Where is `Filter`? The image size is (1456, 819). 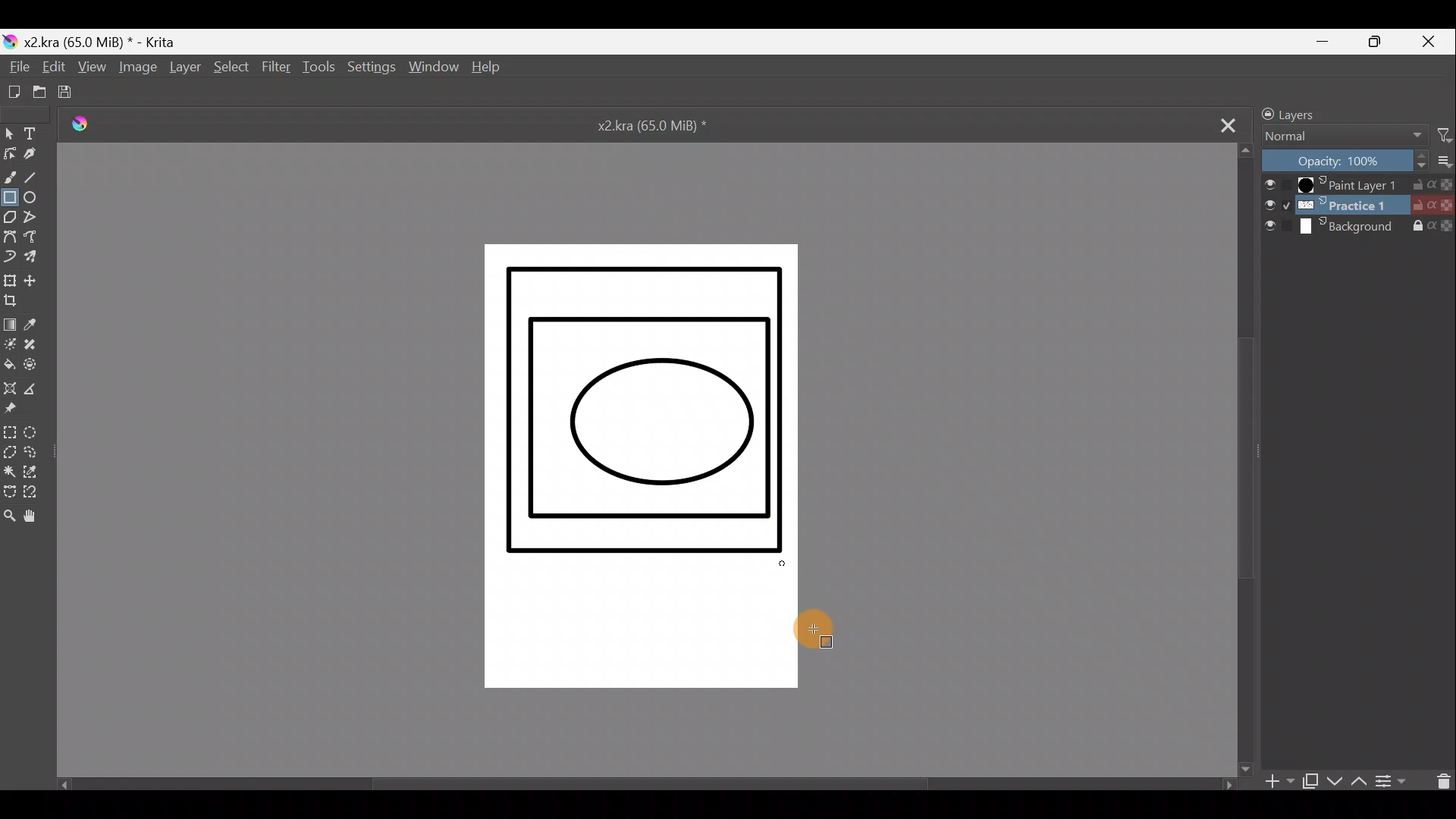
Filter is located at coordinates (277, 69).